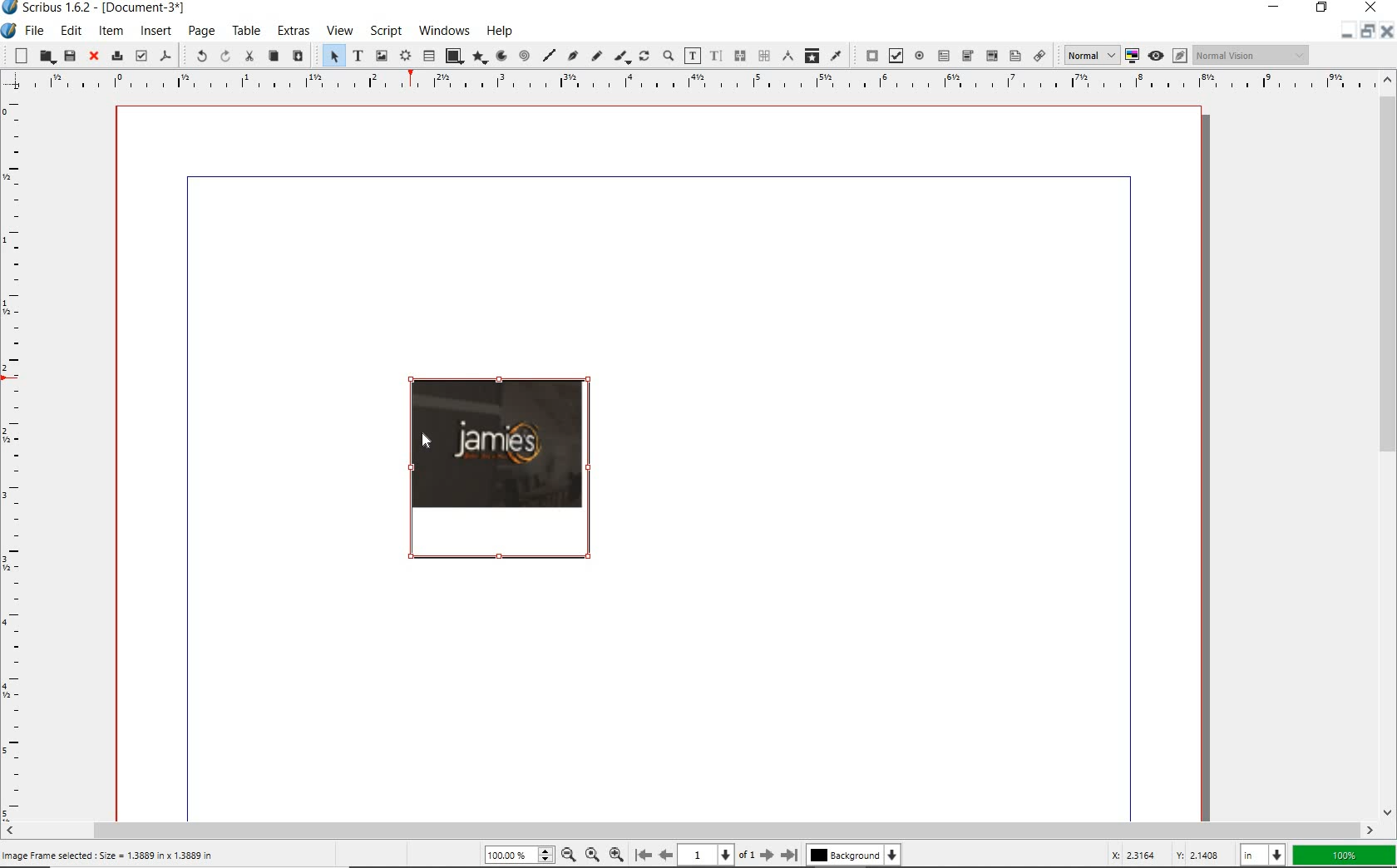 The image size is (1397, 868). What do you see at coordinates (427, 56) in the screenshot?
I see `table` at bounding box center [427, 56].